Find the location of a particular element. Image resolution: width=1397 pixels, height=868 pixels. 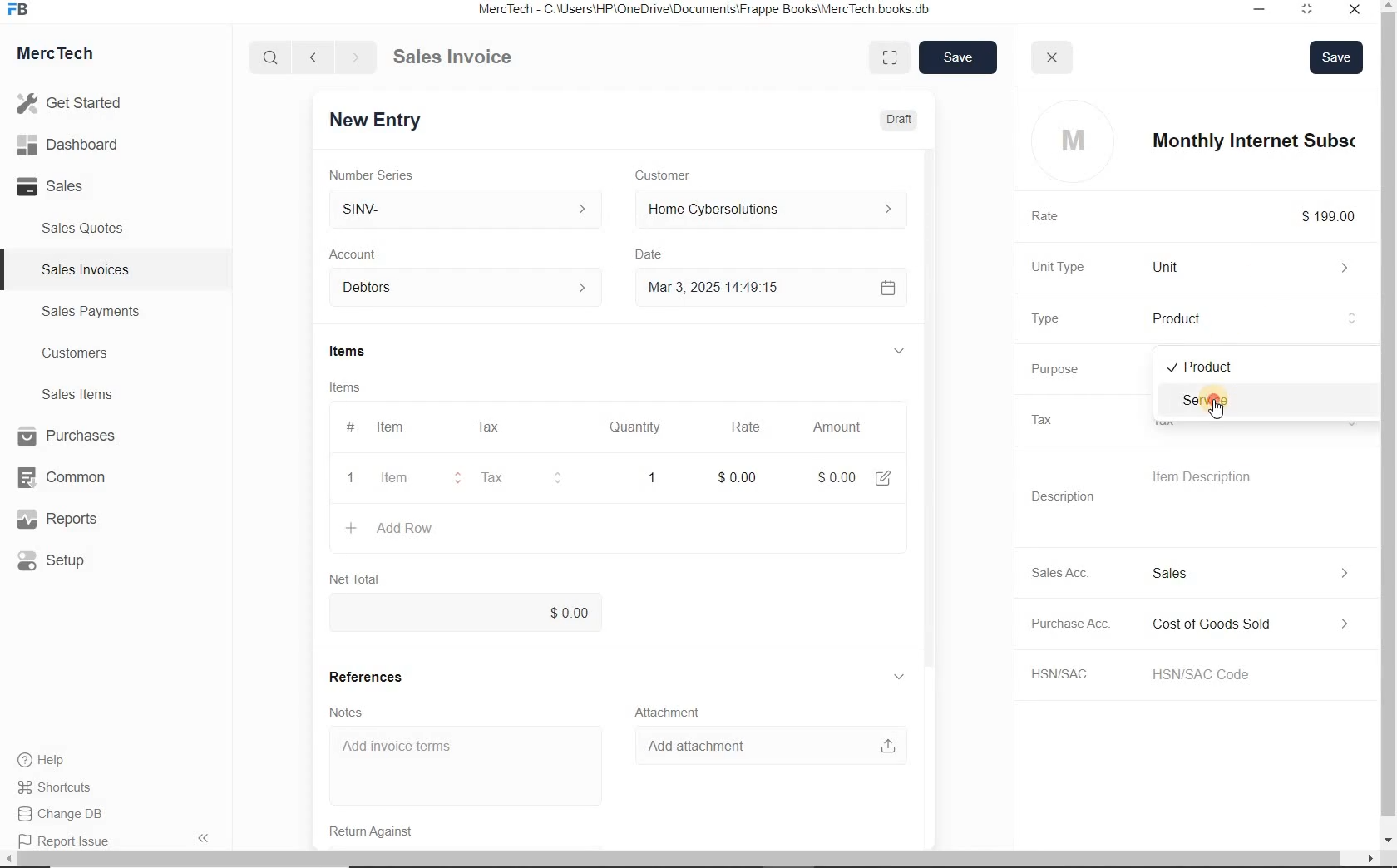

Go forward is located at coordinates (355, 57).